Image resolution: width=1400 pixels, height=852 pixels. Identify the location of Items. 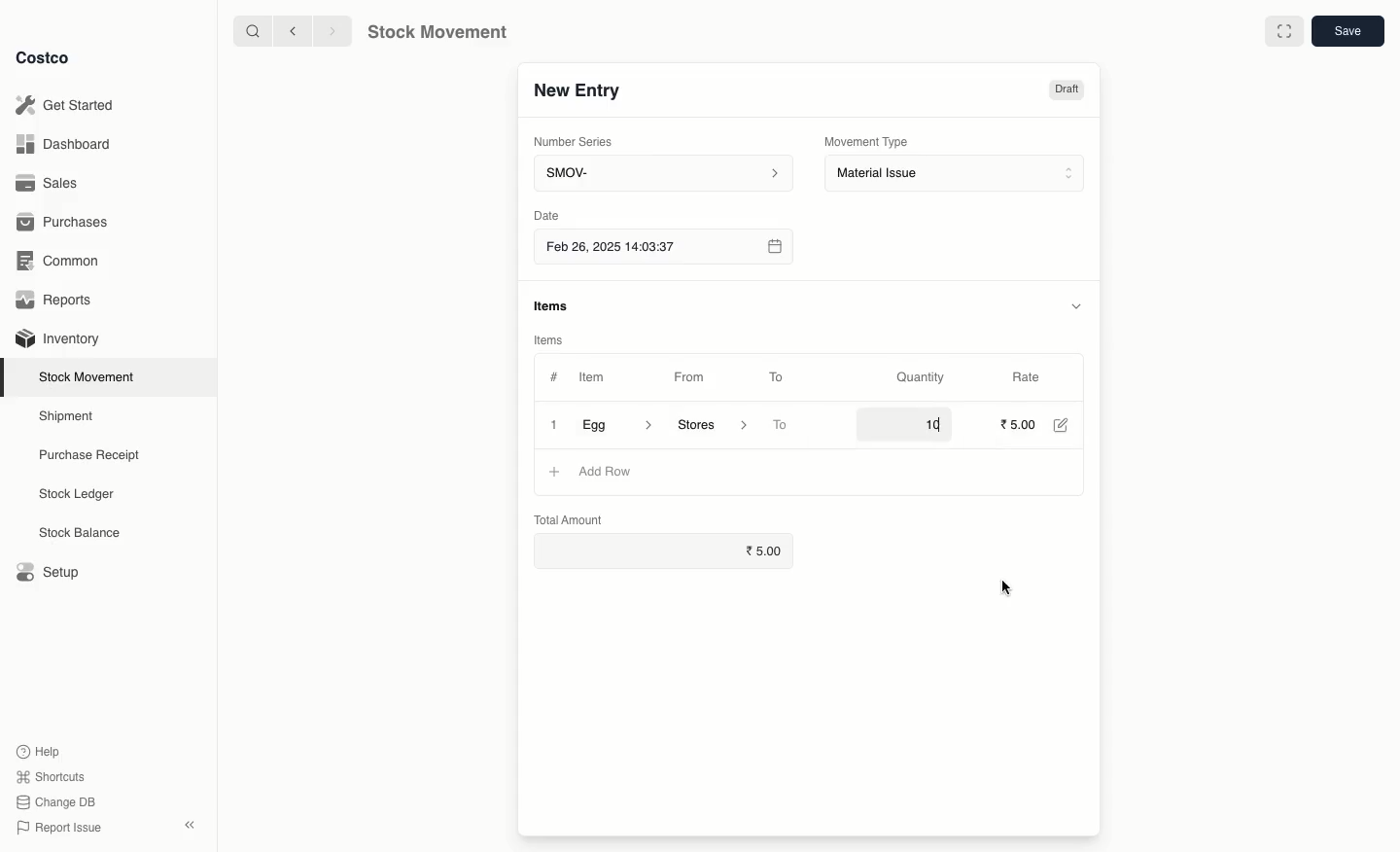
(546, 339).